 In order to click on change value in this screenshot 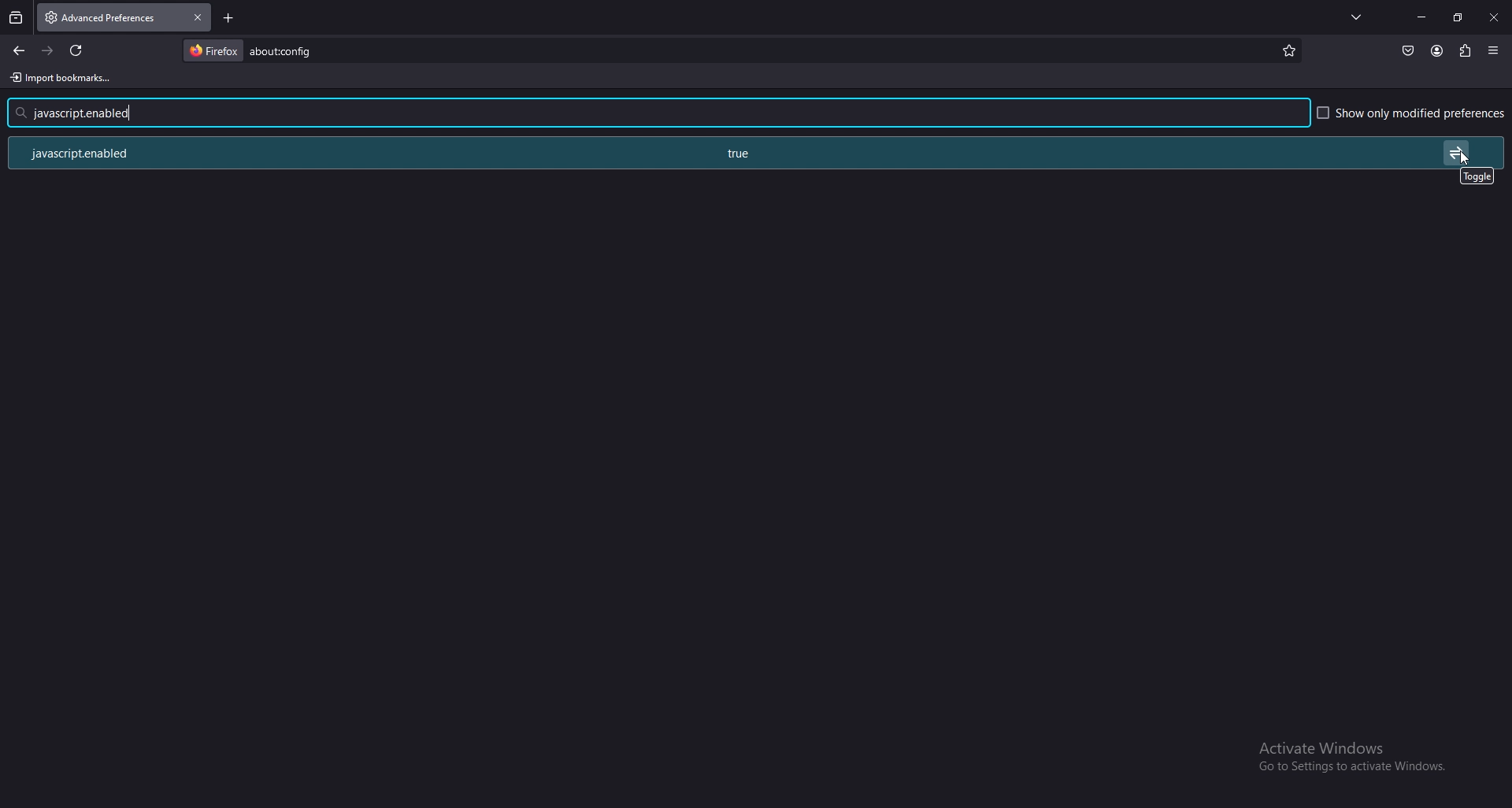, I will do `click(1457, 152)`.